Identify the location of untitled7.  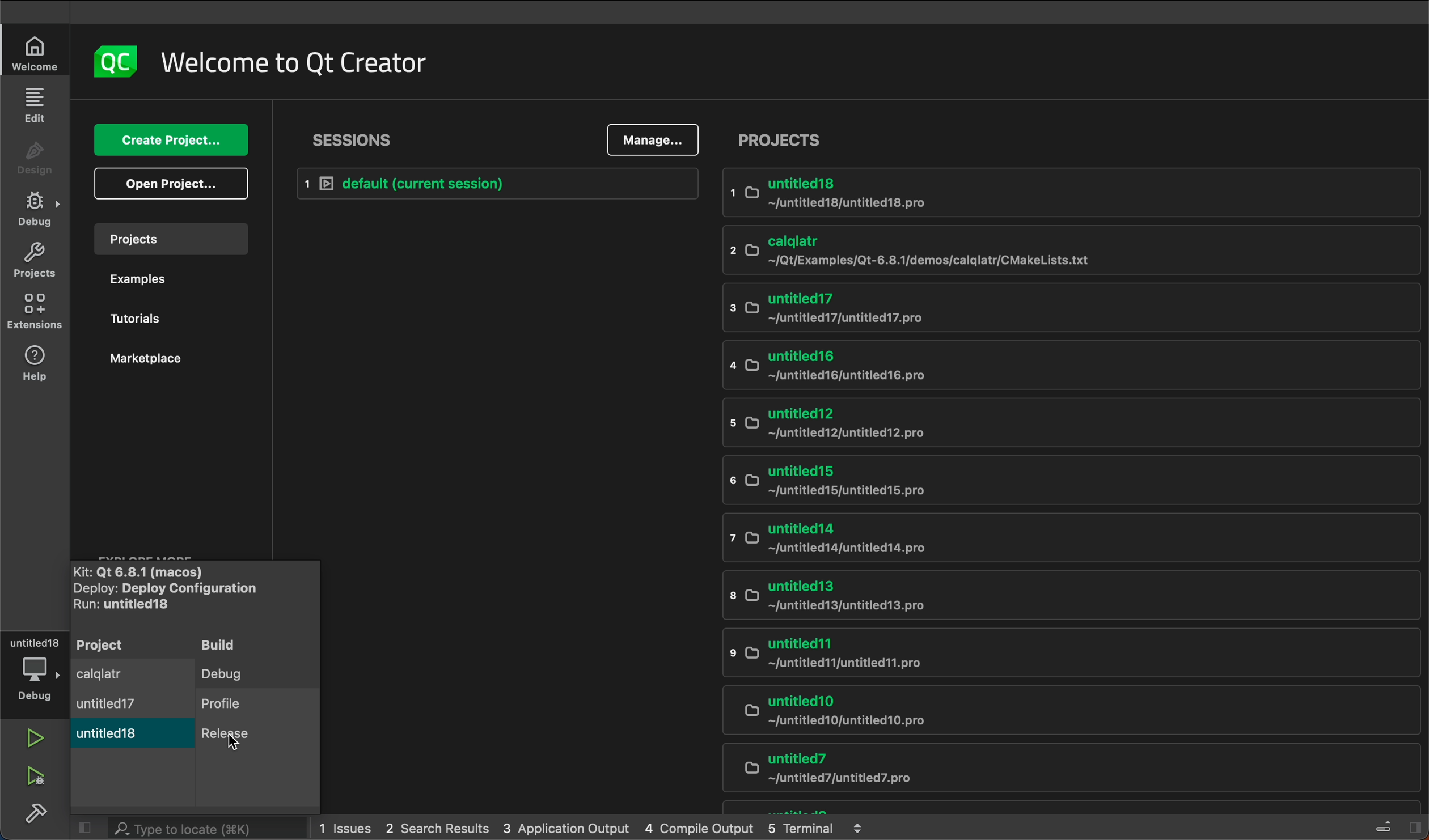
(1053, 771).